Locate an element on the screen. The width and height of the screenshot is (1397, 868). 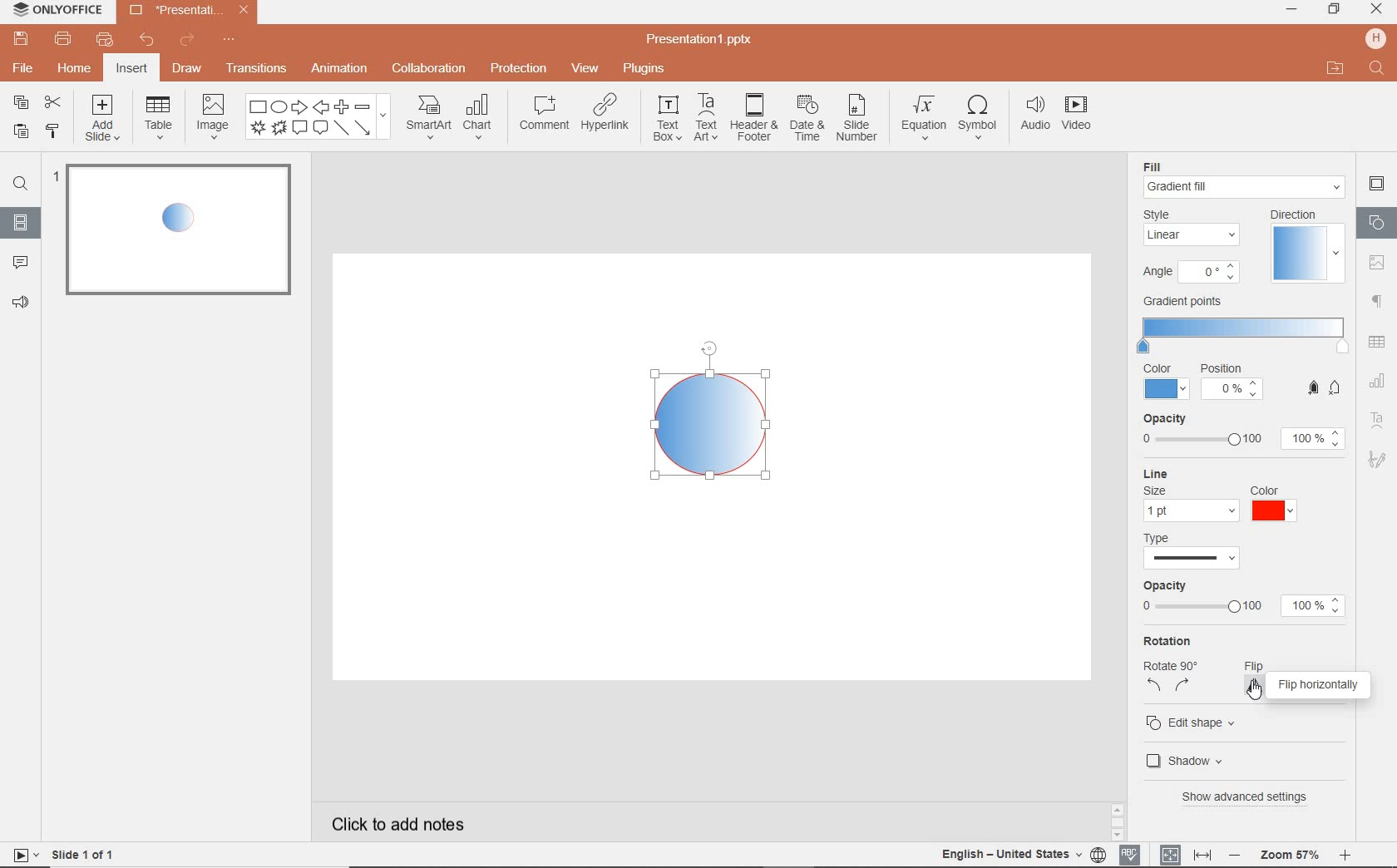
EDIT SHAPE is located at coordinates (1194, 721).